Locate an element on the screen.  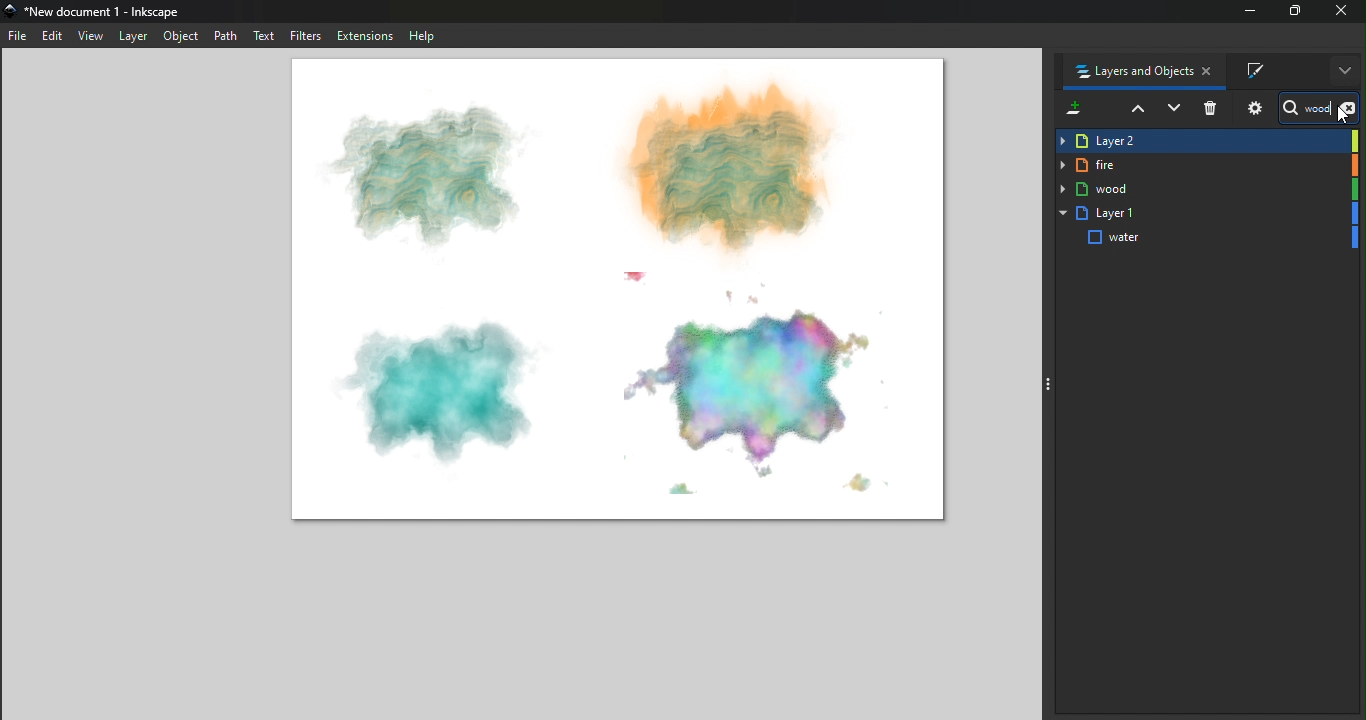
fire Layer is located at coordinates (1206, 166).